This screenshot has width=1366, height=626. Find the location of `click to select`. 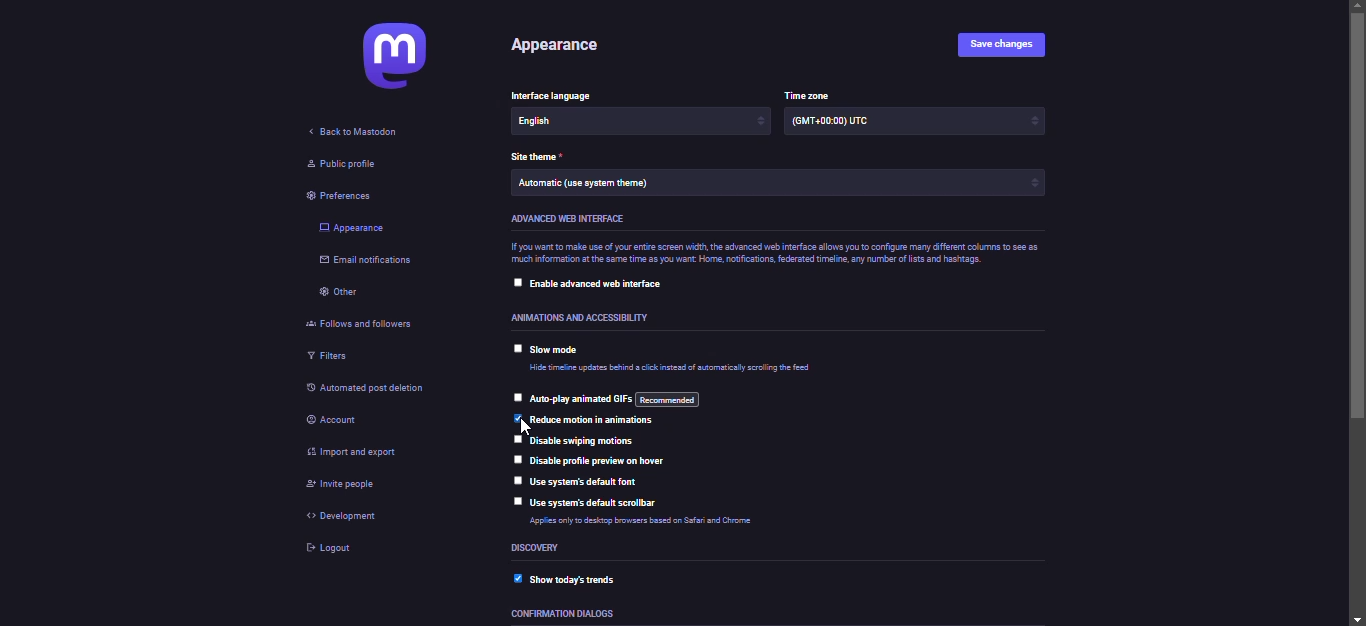

click to select is located at coordinates (514, 479).